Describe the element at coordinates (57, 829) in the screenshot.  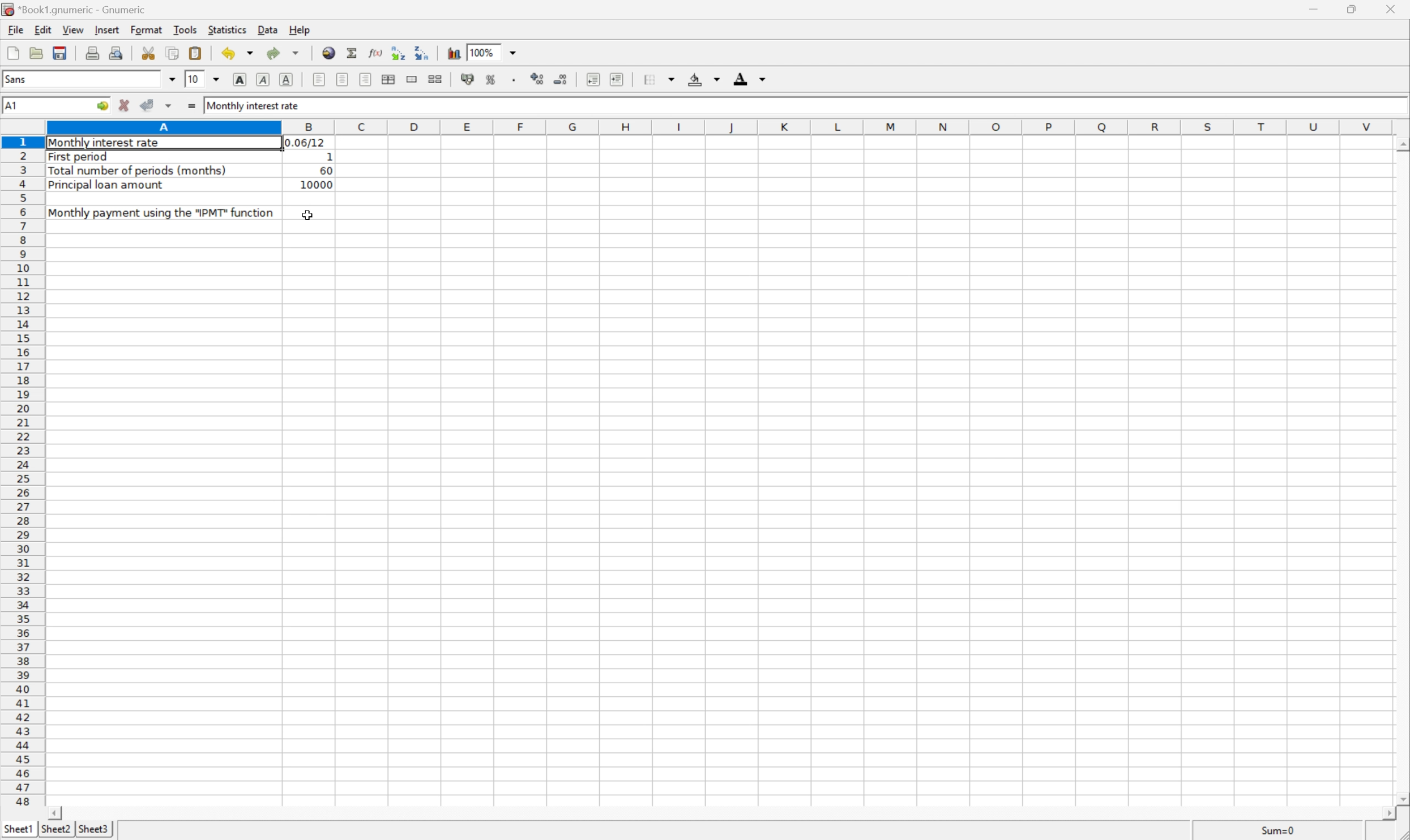
I see `Sheet2` at that location.